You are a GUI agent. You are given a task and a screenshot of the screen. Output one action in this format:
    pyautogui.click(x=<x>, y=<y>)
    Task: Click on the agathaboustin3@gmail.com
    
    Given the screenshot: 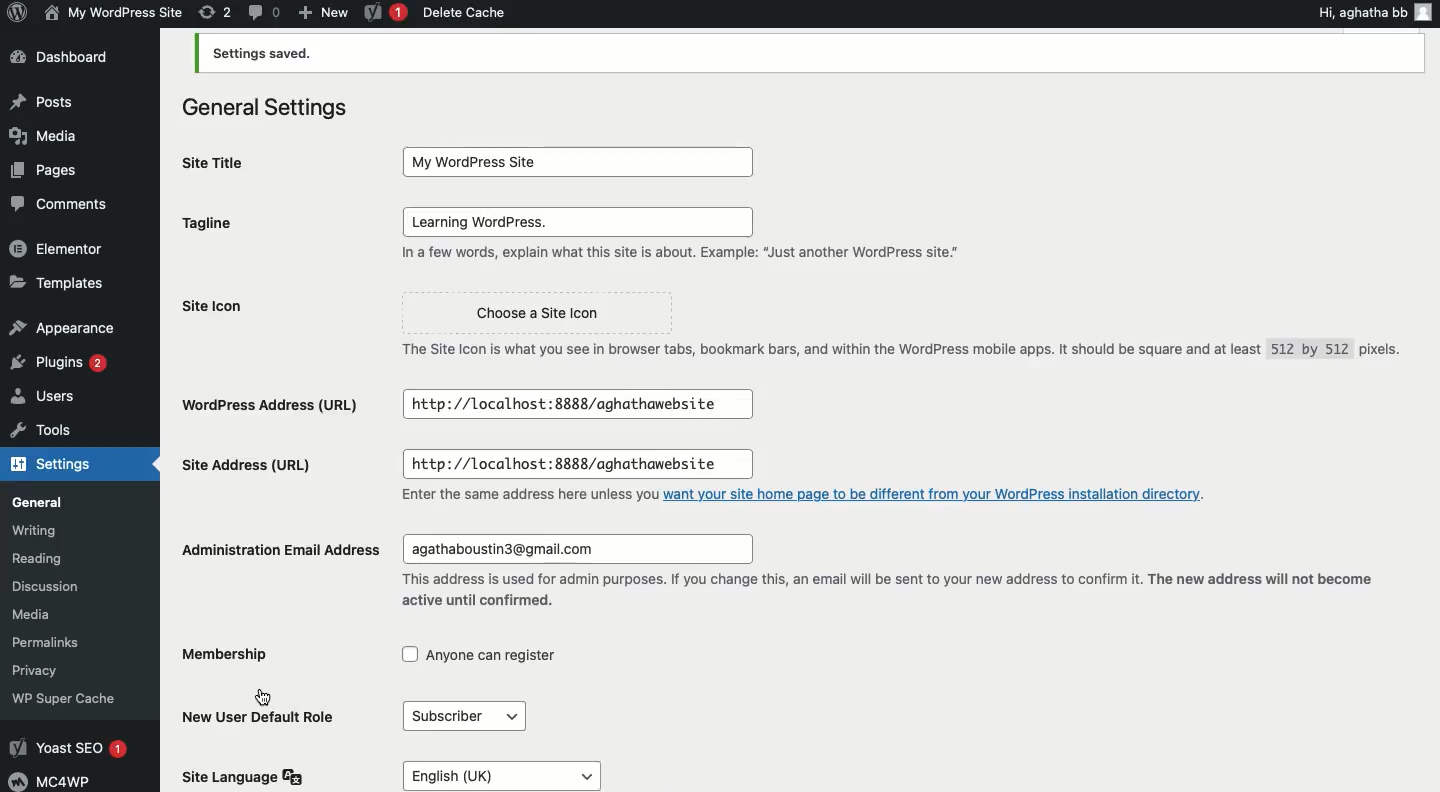 What is the action you would take?
    pyautogui.click(x=582, y=547)
    